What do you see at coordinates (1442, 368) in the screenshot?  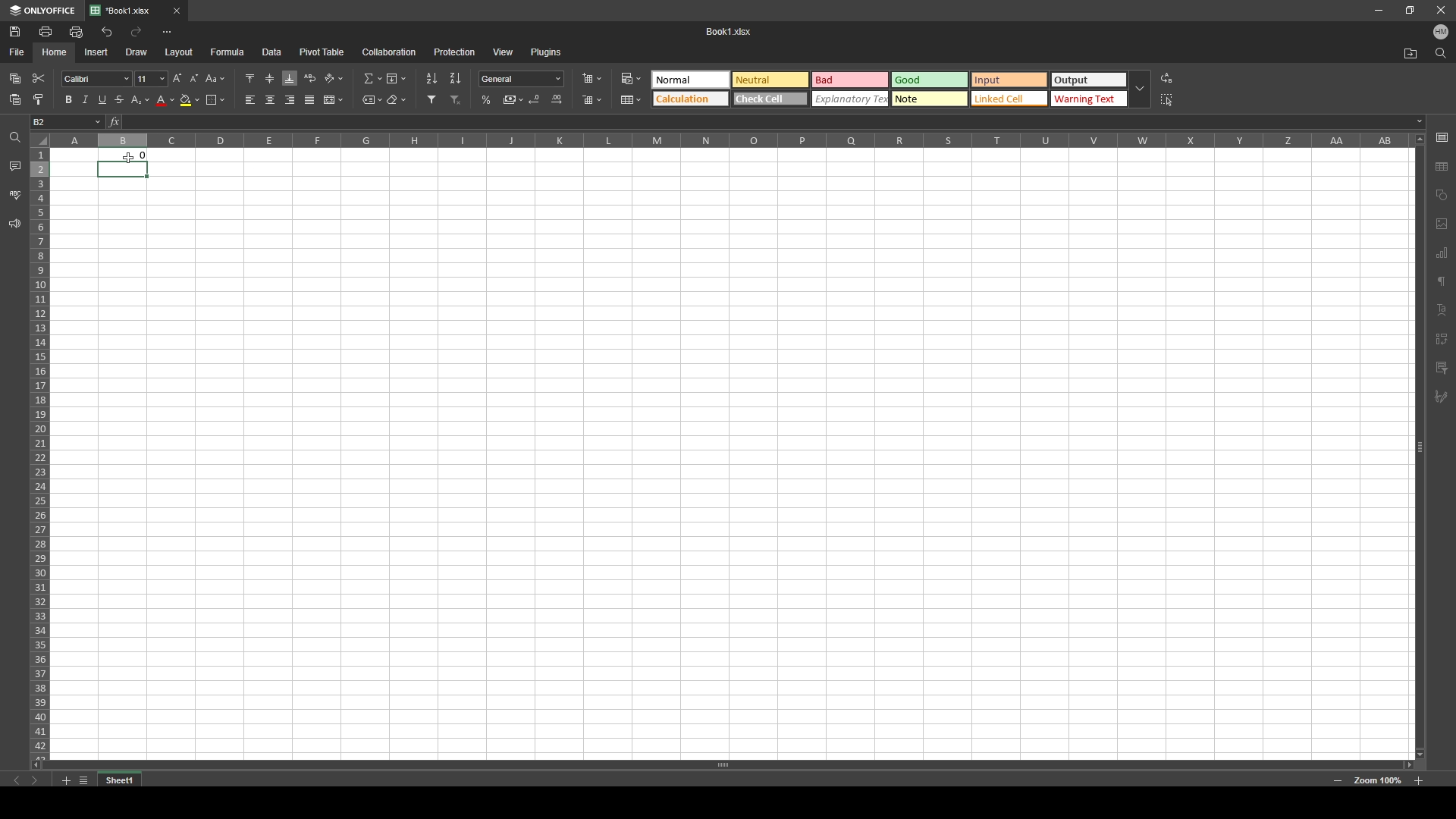 I see `filter` at bounding box center [1442, 368].